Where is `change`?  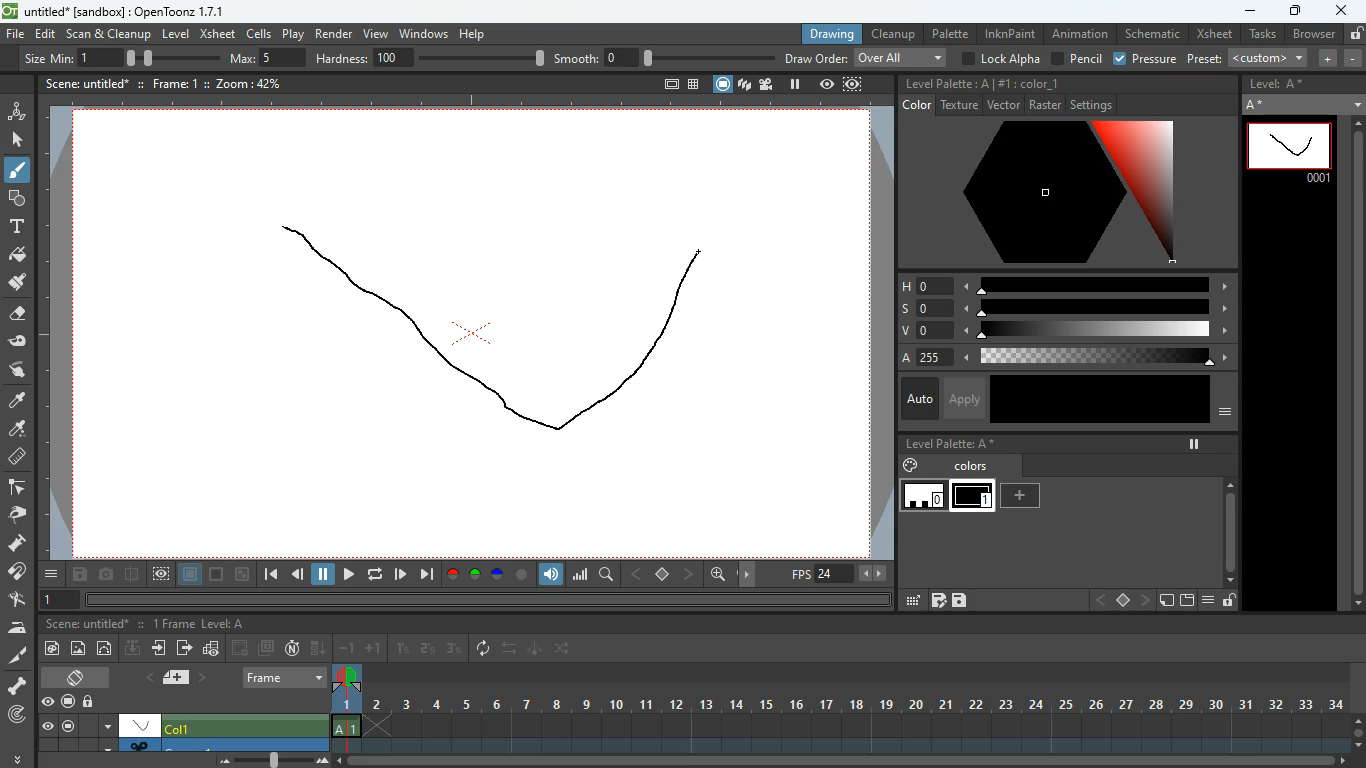 change is located at coordinates (106, 648).